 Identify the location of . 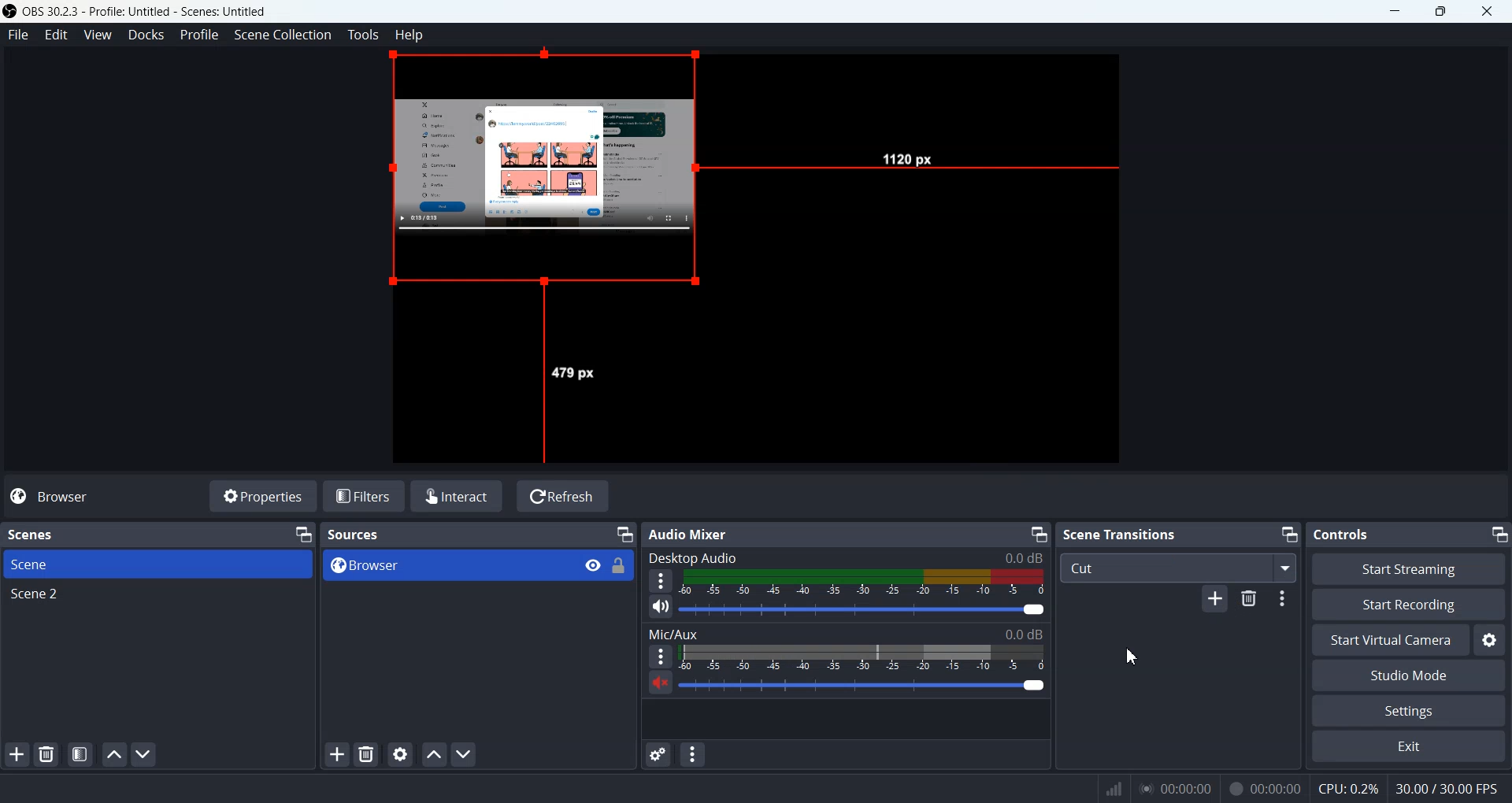
(1177, 788).